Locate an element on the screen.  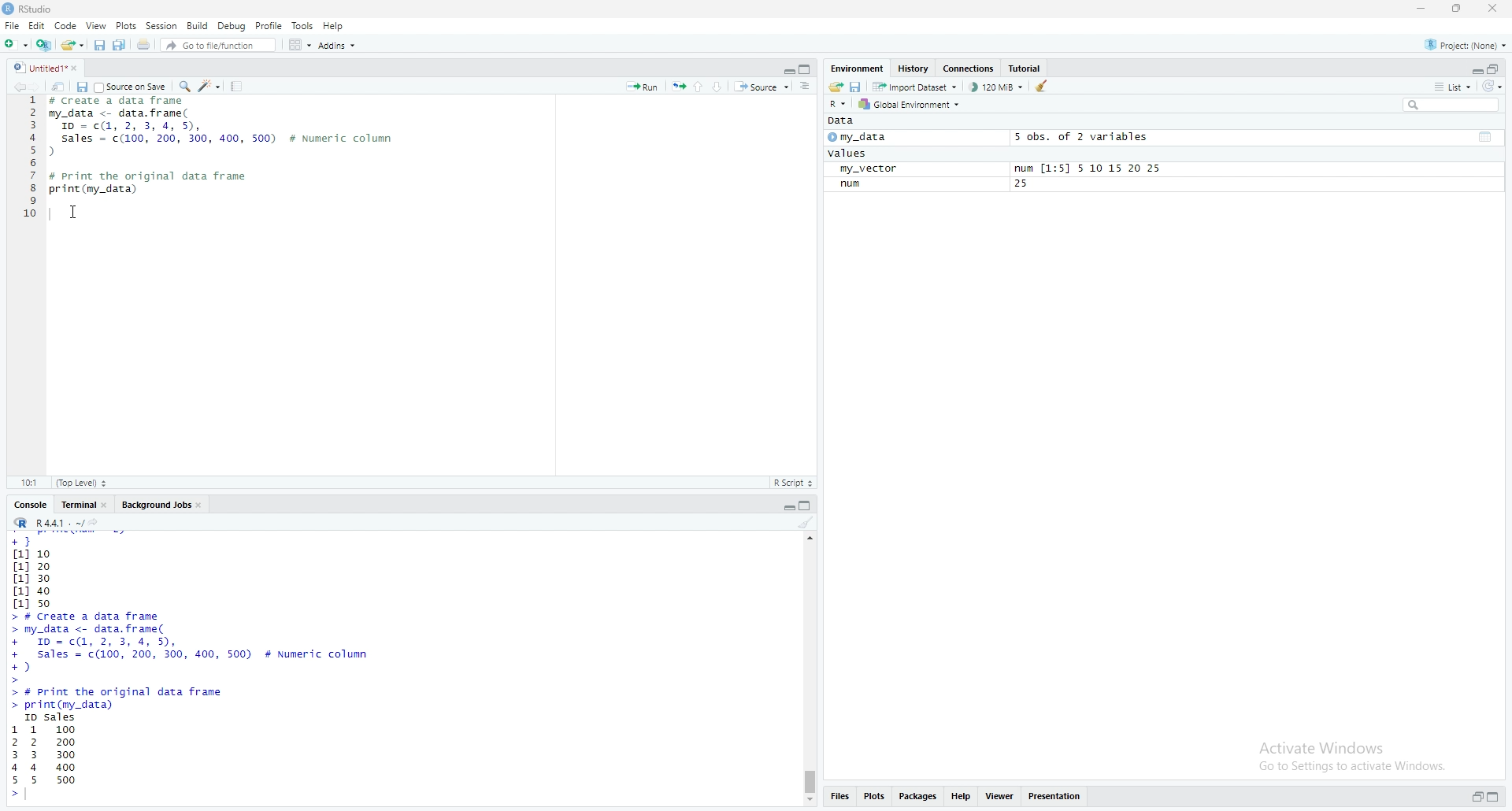
go to file/function is located at coordinates (218, 46).